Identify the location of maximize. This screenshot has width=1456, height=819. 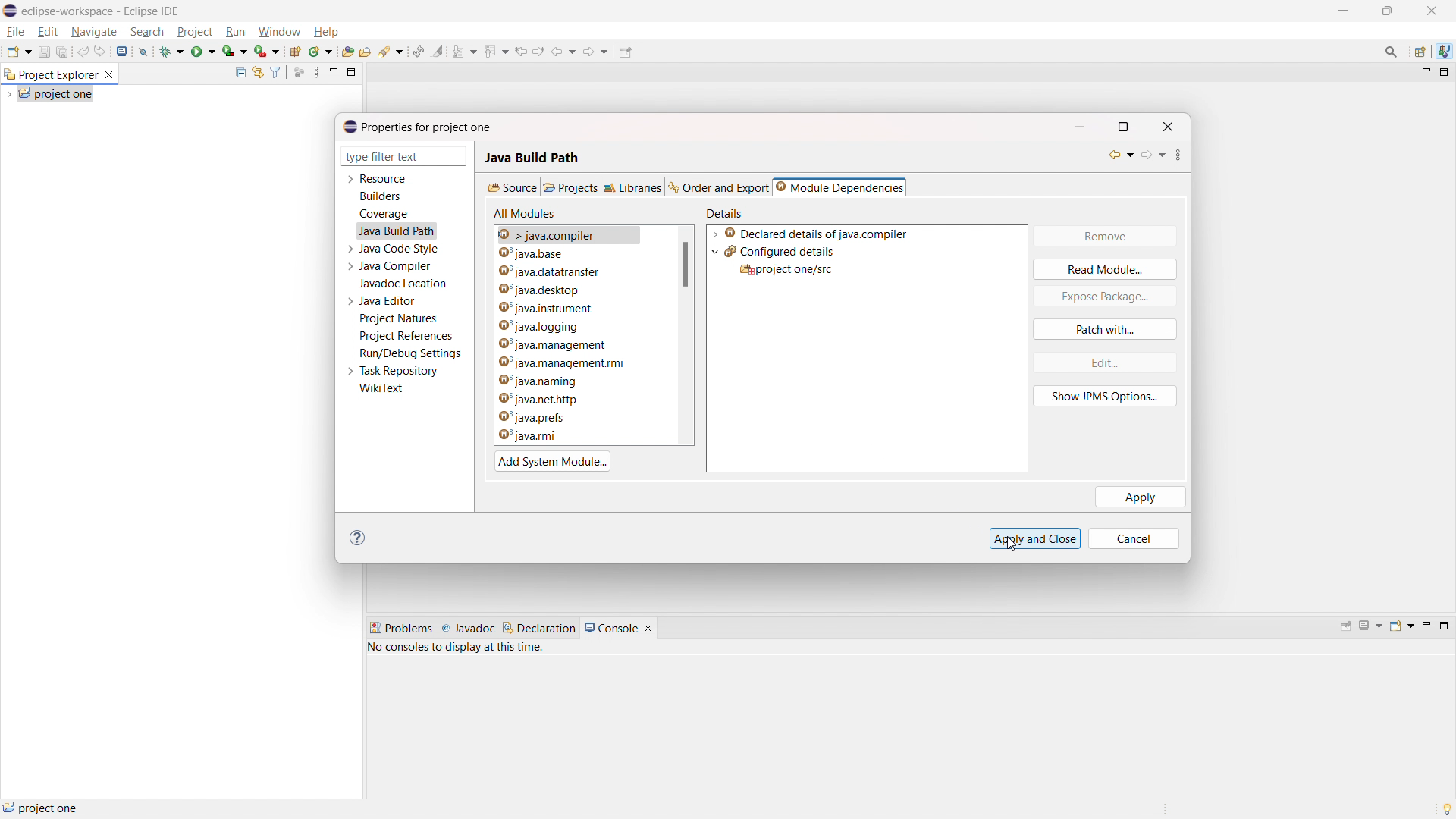
(1444, 626).